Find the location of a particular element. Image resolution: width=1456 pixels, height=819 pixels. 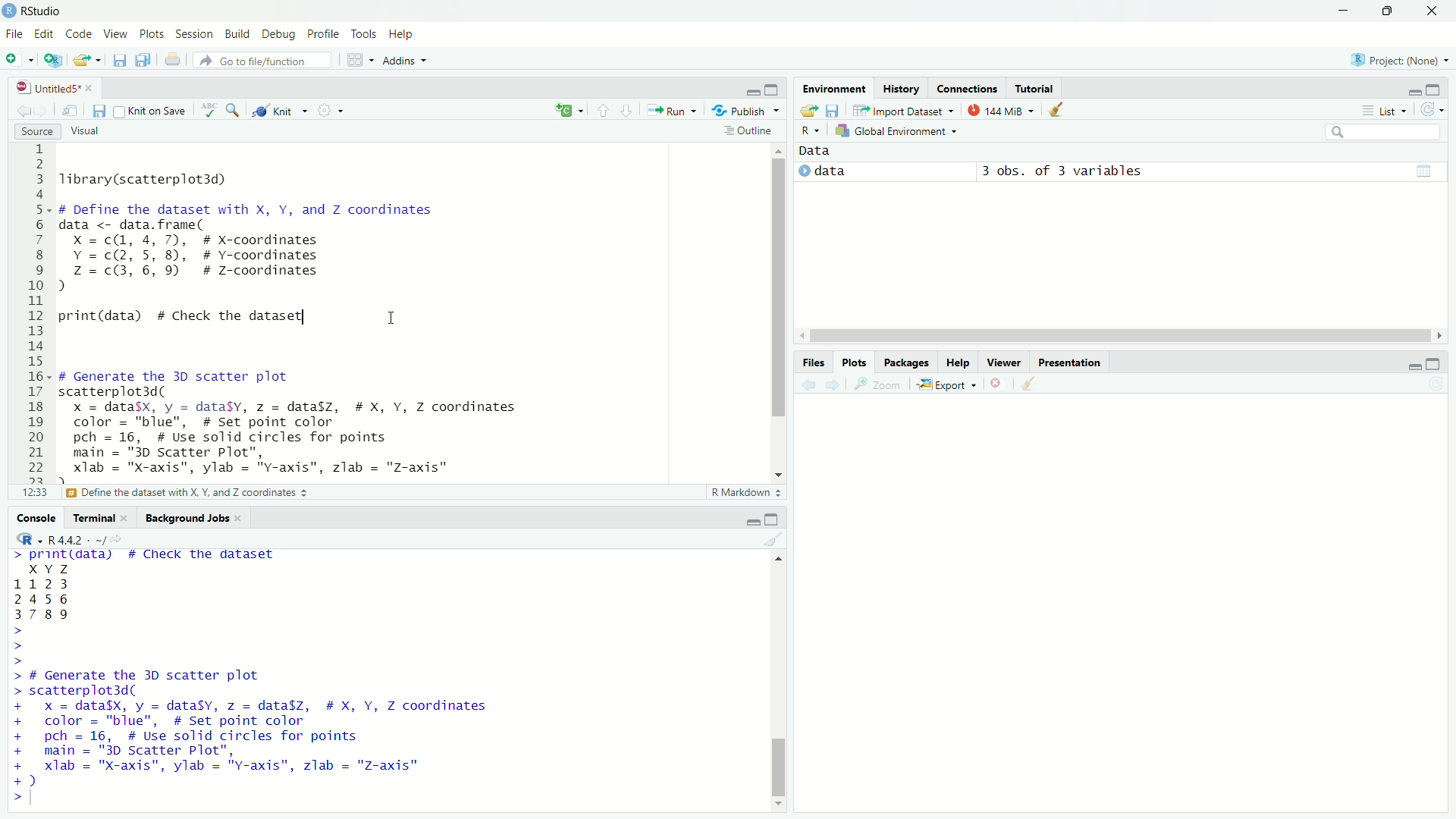

Line numbers is located at coordinates (36, 312).